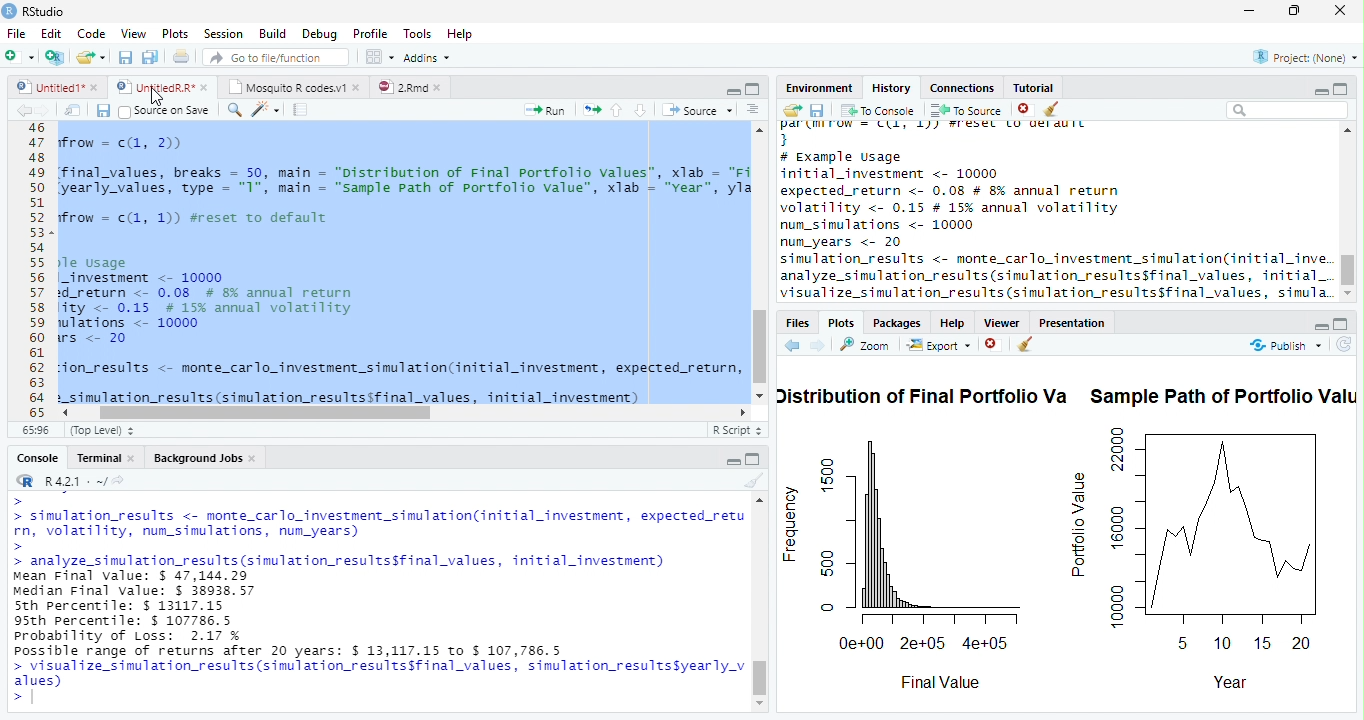 The image size is (1364, 720). I want to click on Save, so click(817, 110).